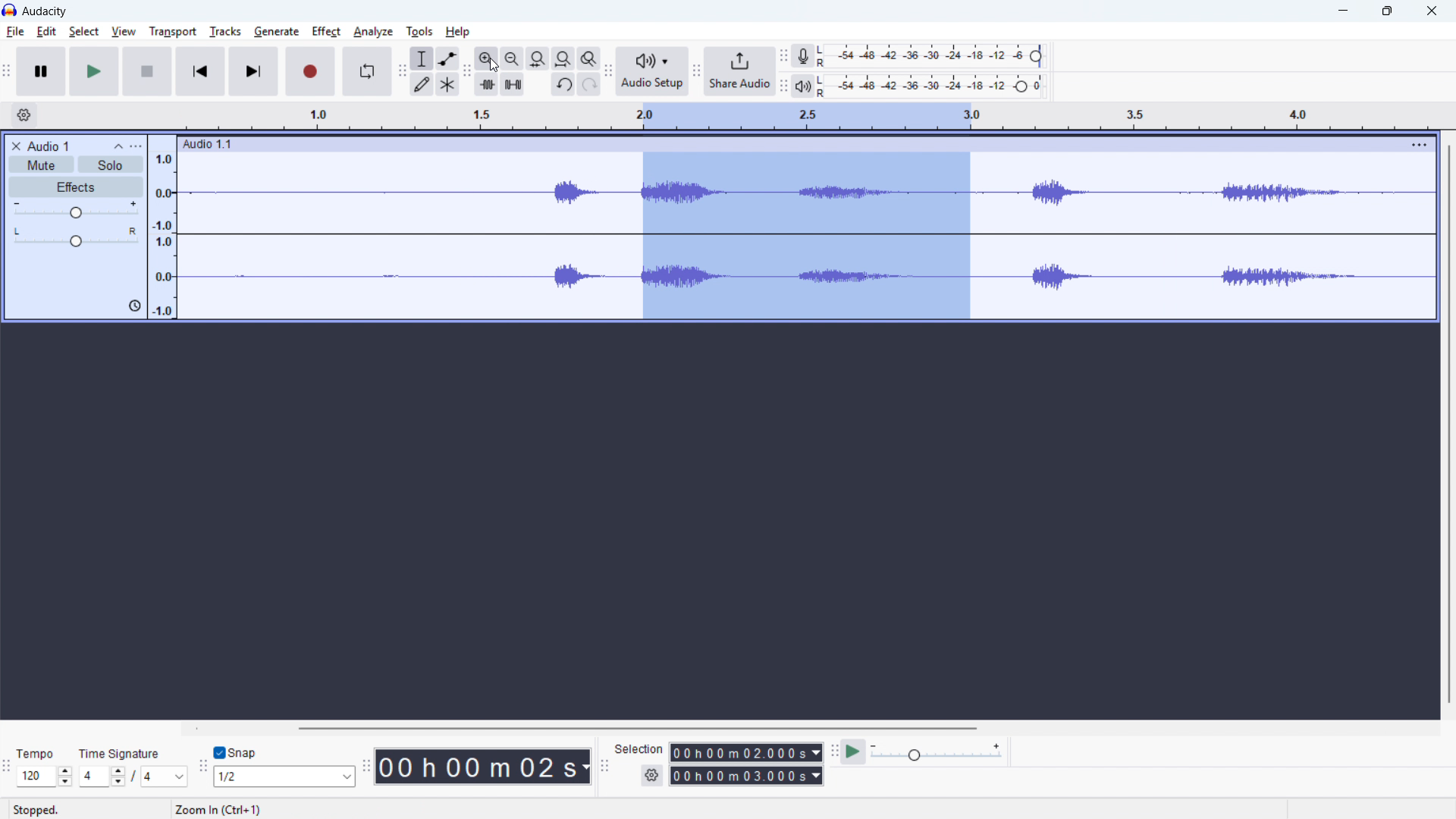 Image resolution: width=1456 pixels, height=819 pixels. Describe the element at coordinates (1430, 11) in the screenshot. I see `Close` at that location.